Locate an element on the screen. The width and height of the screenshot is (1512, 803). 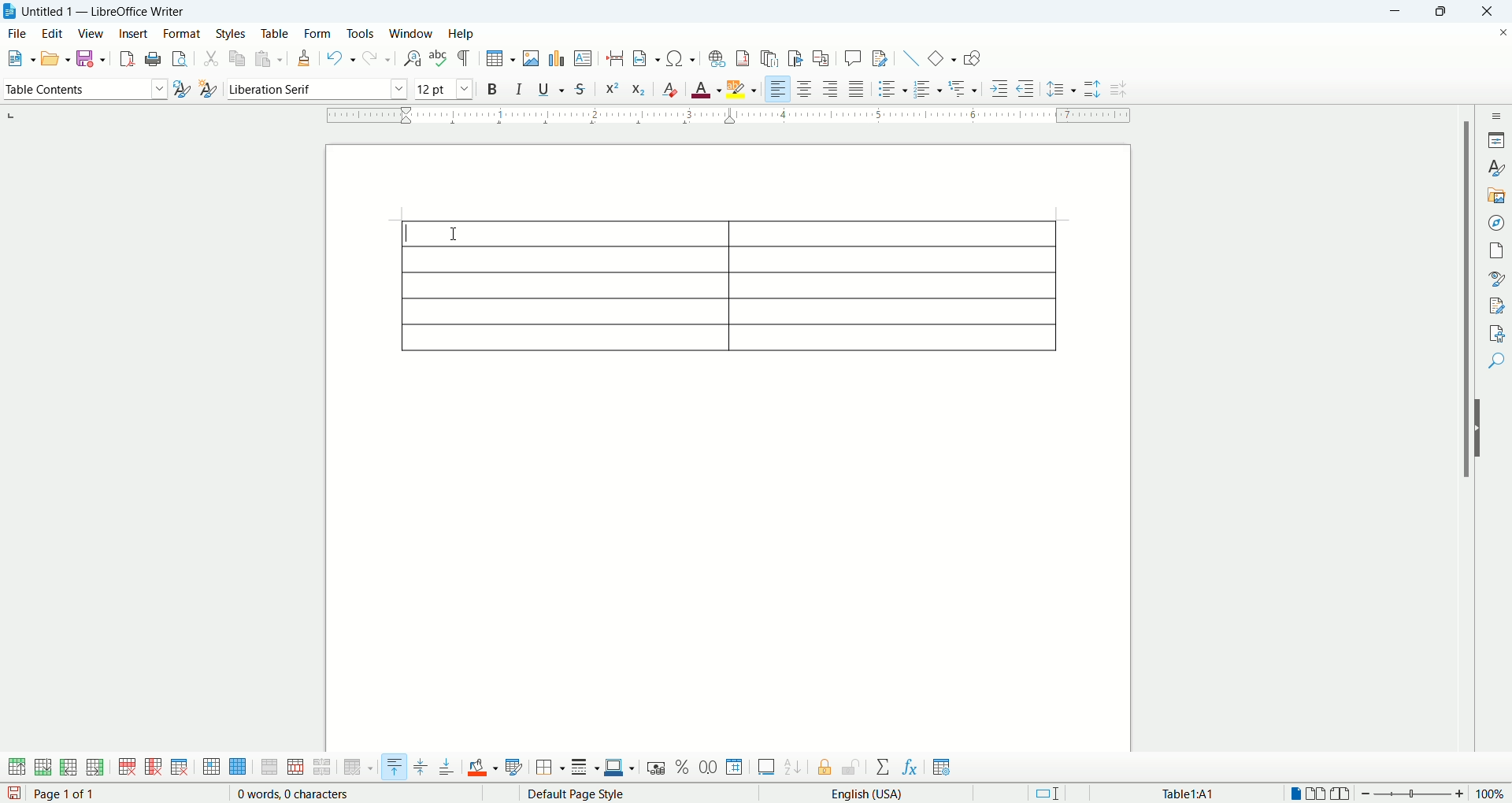
manage changes is located at coordinates (1496, 304).